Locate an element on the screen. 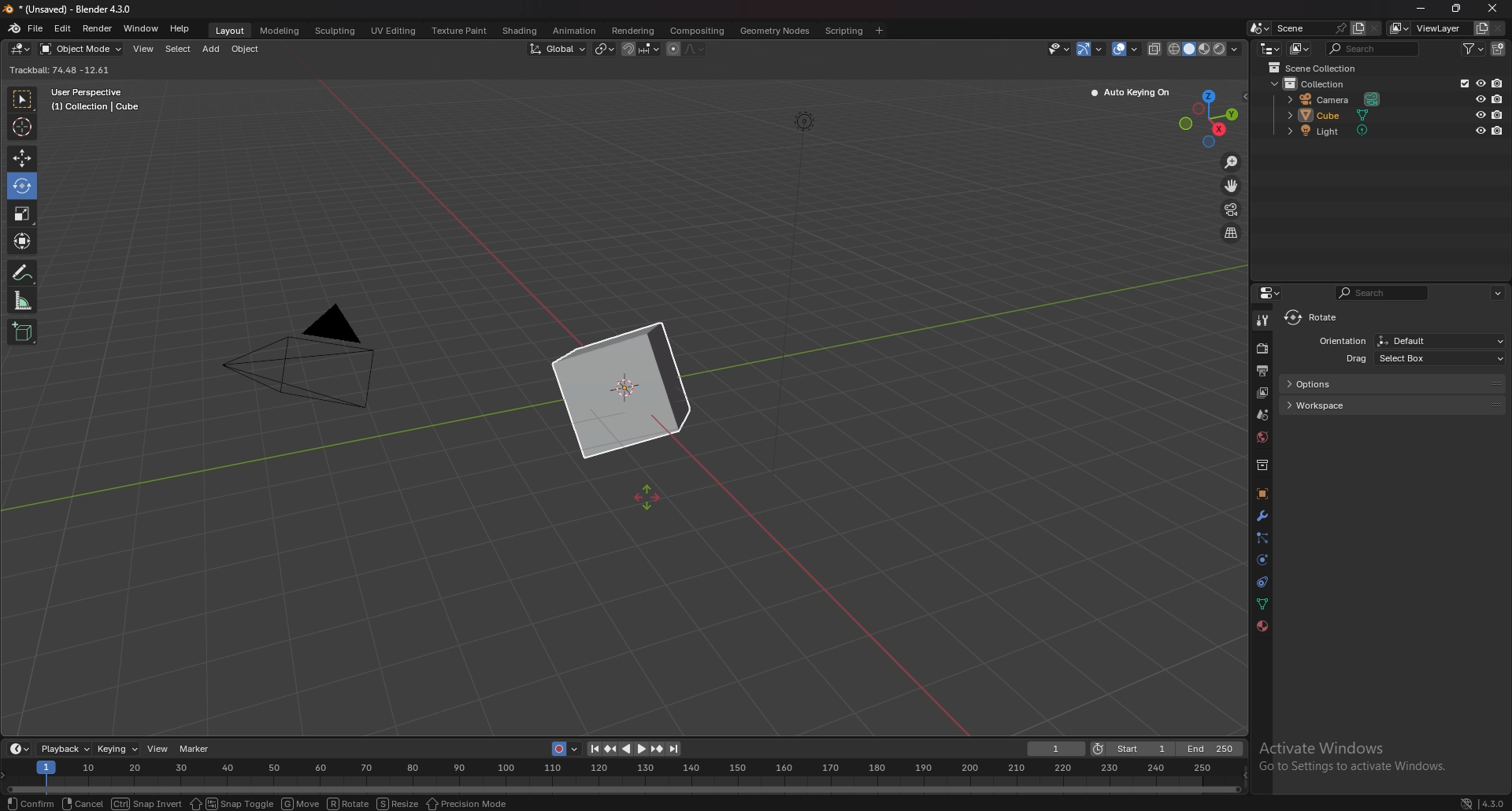 Image resolution: width=1512 pixels, height=811 pixels. material is located at coordinates (1262, 626).